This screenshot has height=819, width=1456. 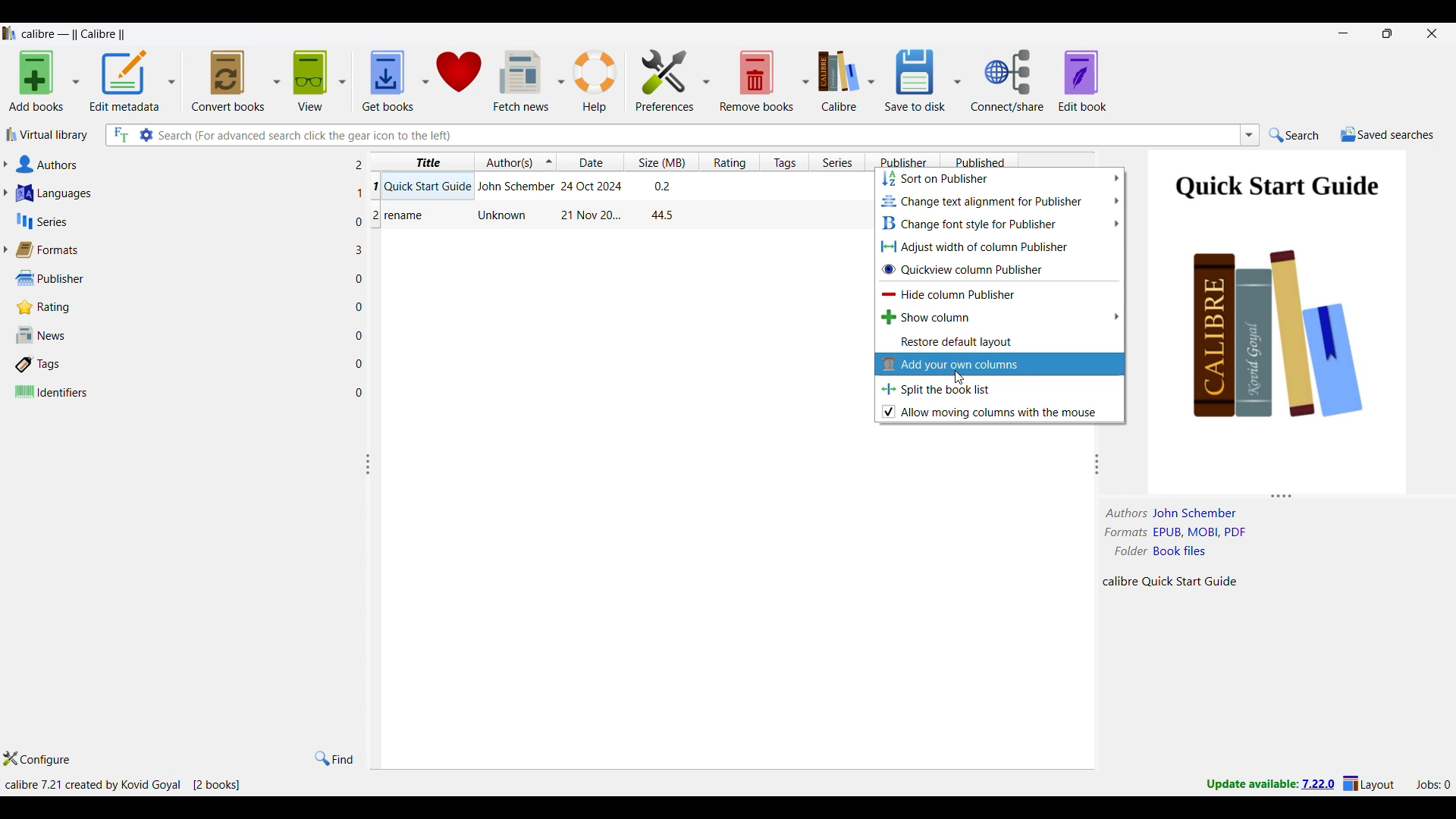 What do you see at coordinates (999, 293) in the screenshot?
I see `Hide column publisher` at bounding box center [999, 293].